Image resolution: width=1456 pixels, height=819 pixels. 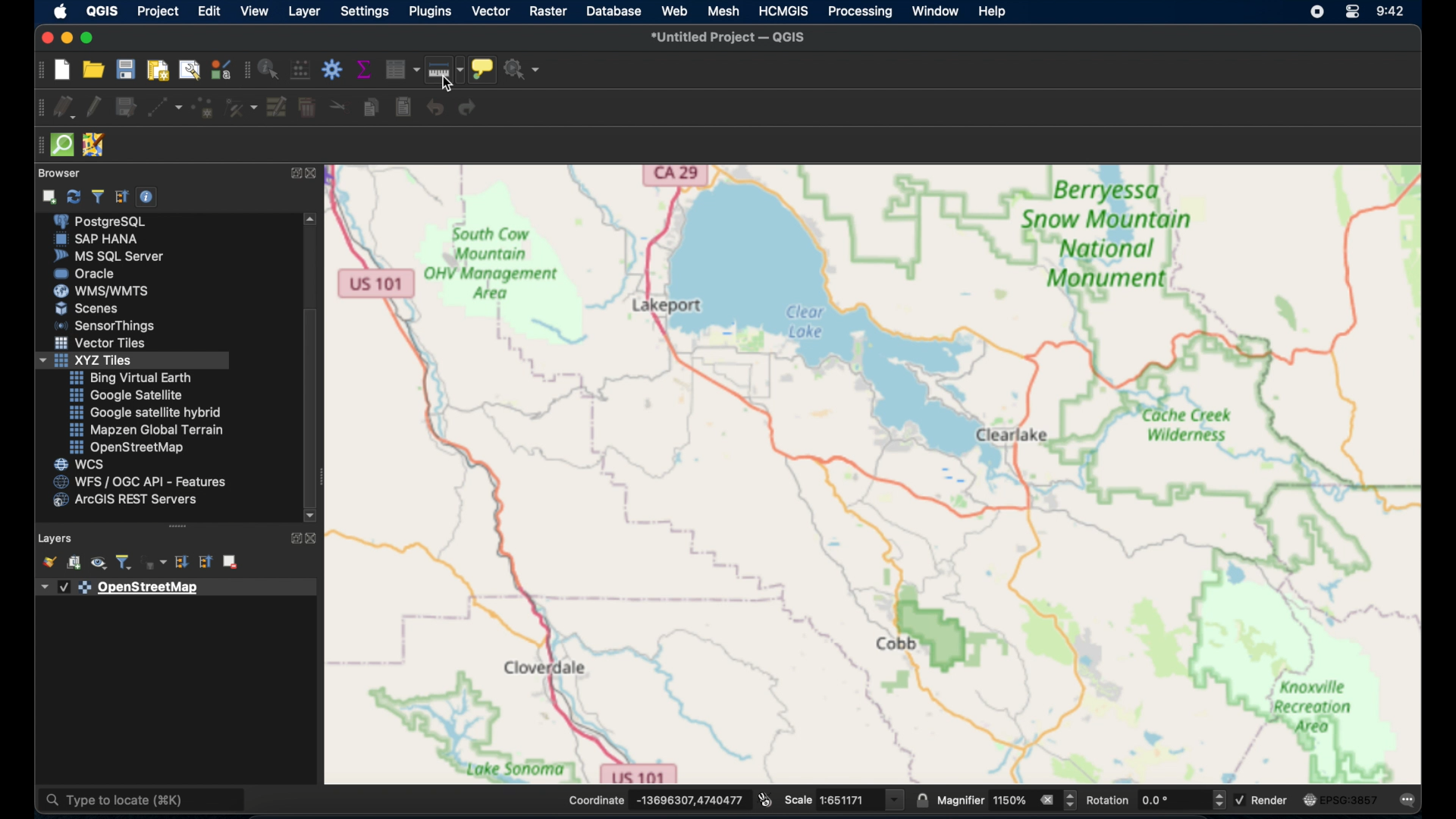 What do you see at coordinates (110, 222) in the screenshot?
I see `postgre sql` at bounding box center [110, 222].